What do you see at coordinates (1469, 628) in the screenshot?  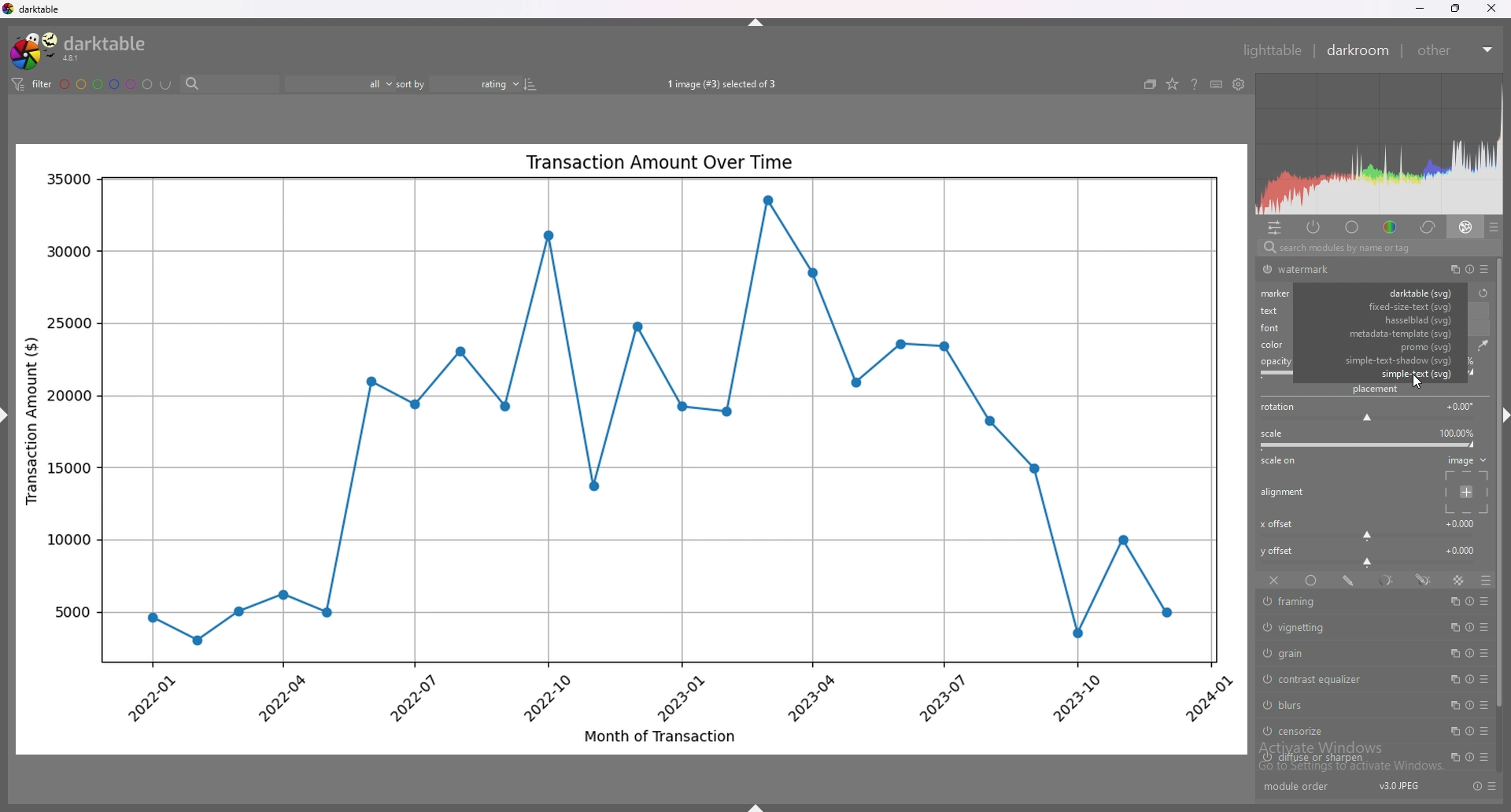 I see `reset` at bounding box center [1469, 628].